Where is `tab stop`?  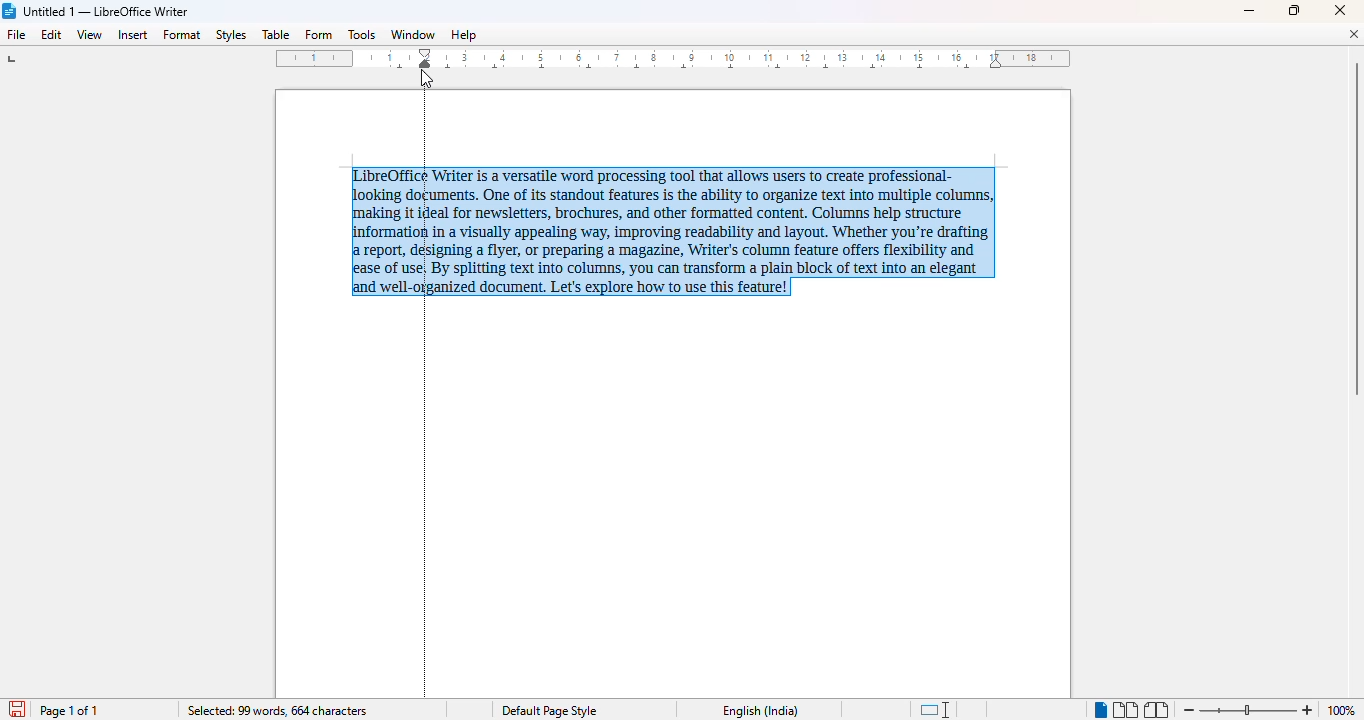 tab stop is located at coordinates (17, 61).